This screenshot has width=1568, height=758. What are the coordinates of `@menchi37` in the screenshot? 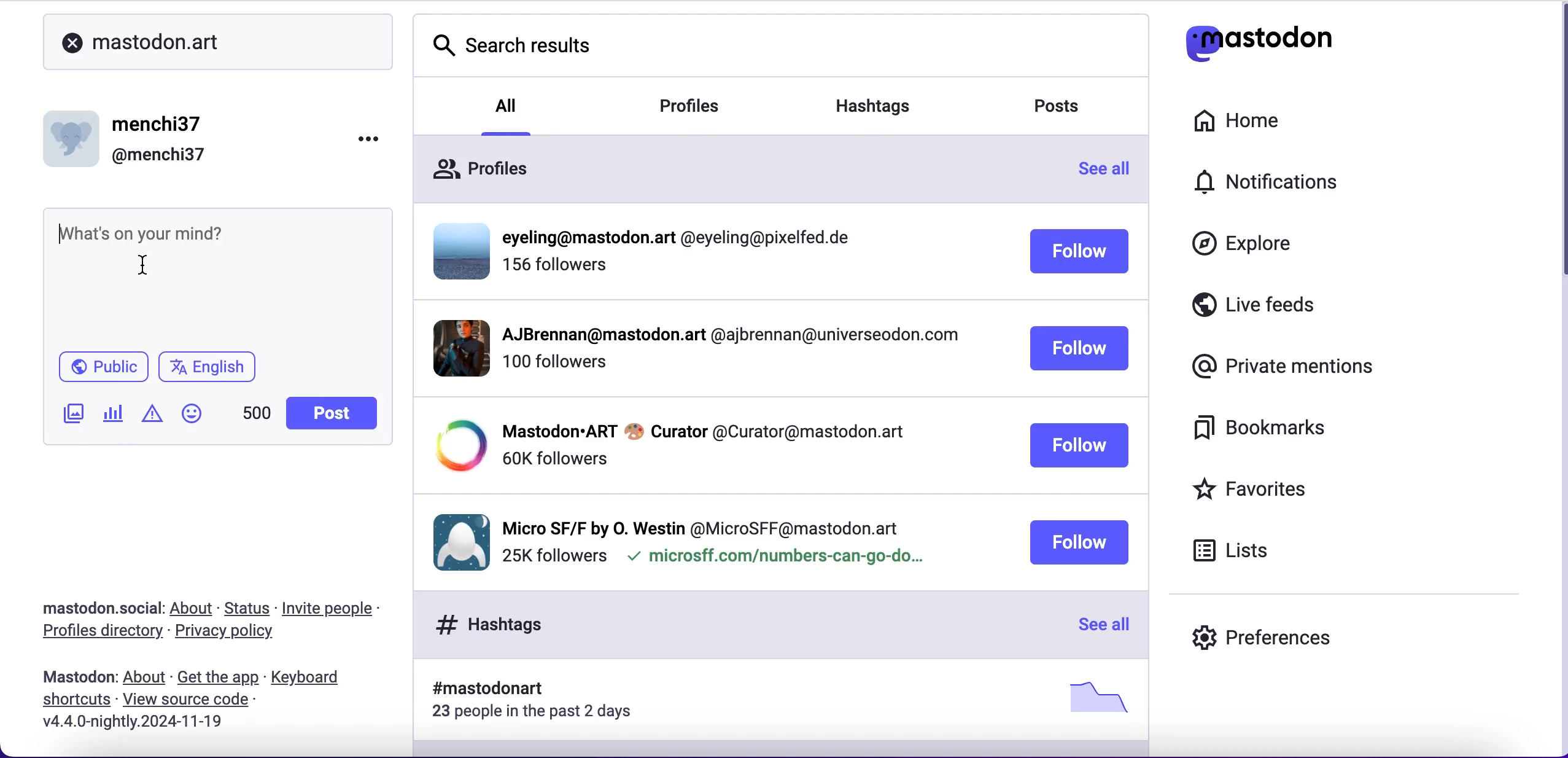 It's located at (159, 156).